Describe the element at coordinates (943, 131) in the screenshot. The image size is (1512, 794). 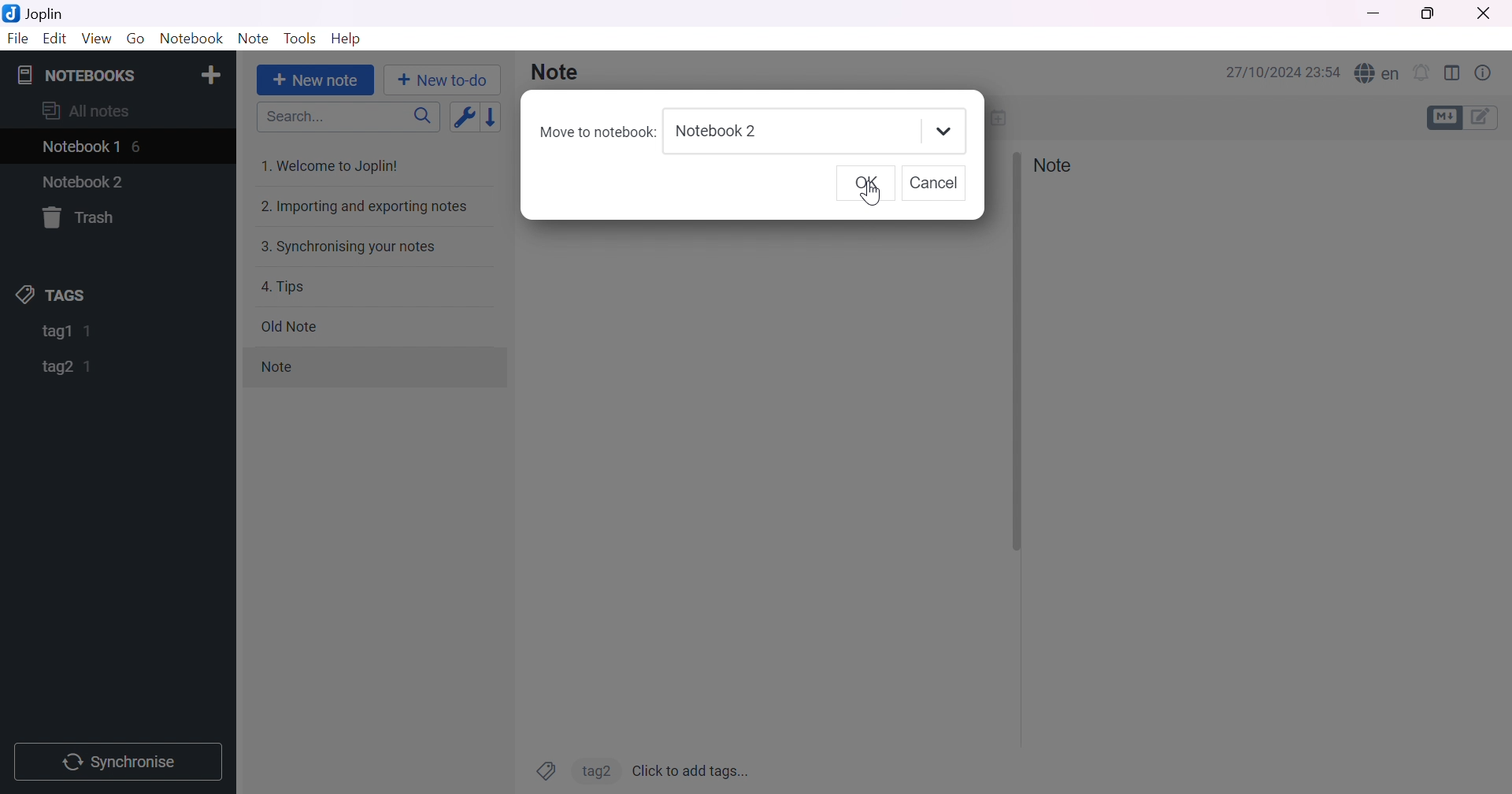
I see `Drop down` at that location.